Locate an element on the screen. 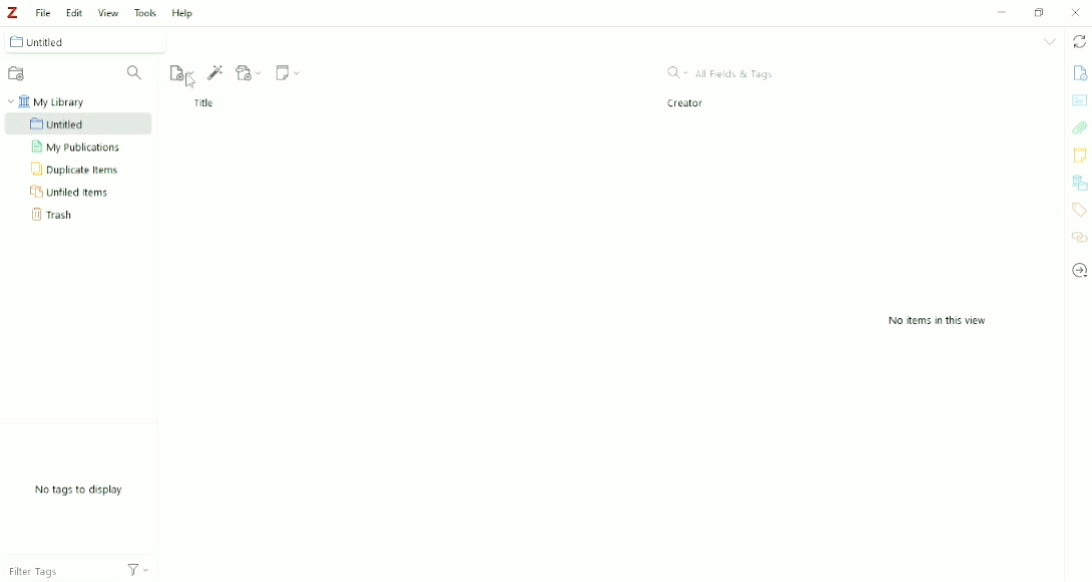  Minimize is located at coordinates (1003, 13).